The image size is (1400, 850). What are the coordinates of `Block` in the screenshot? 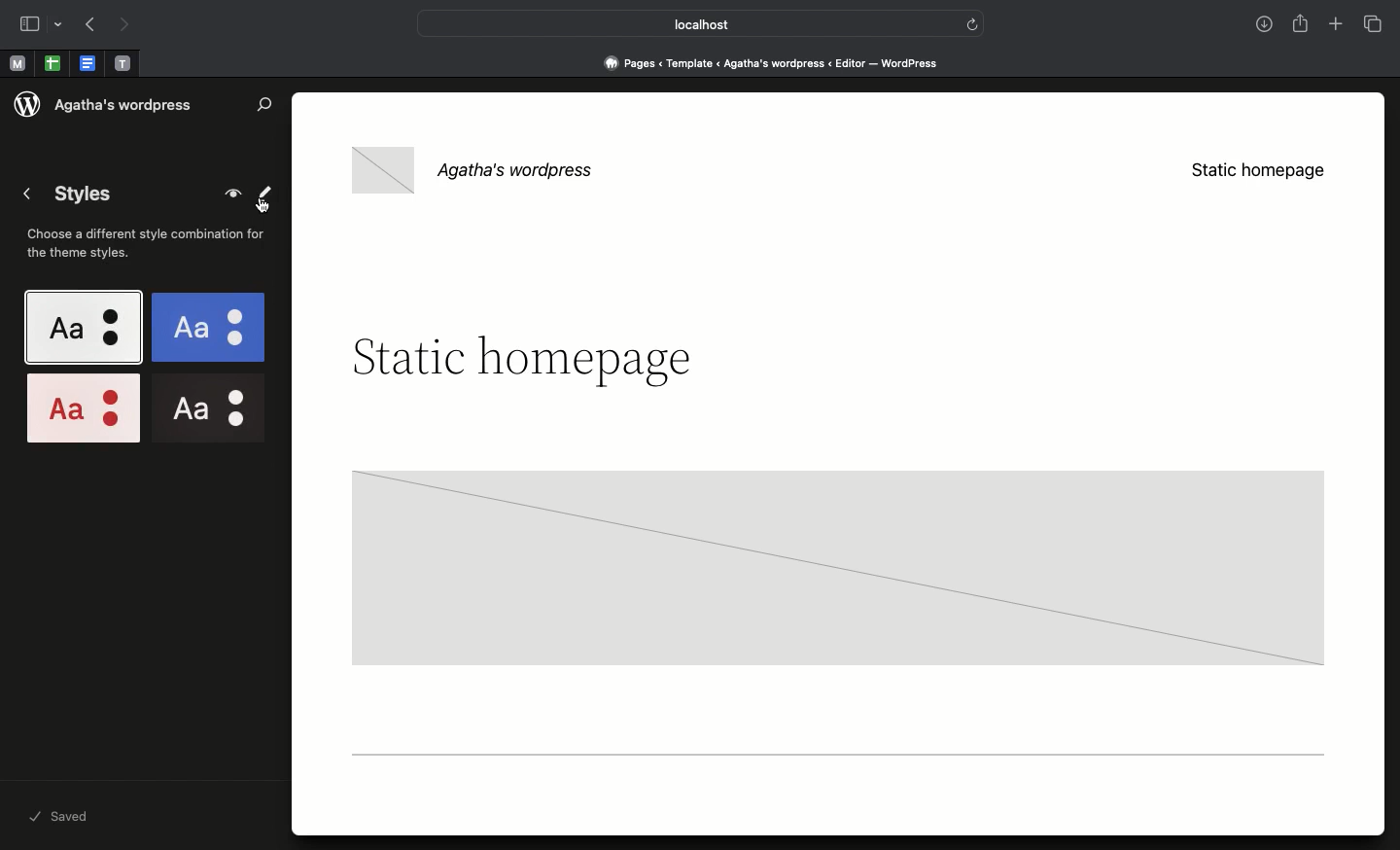 It's located at (831, 577).